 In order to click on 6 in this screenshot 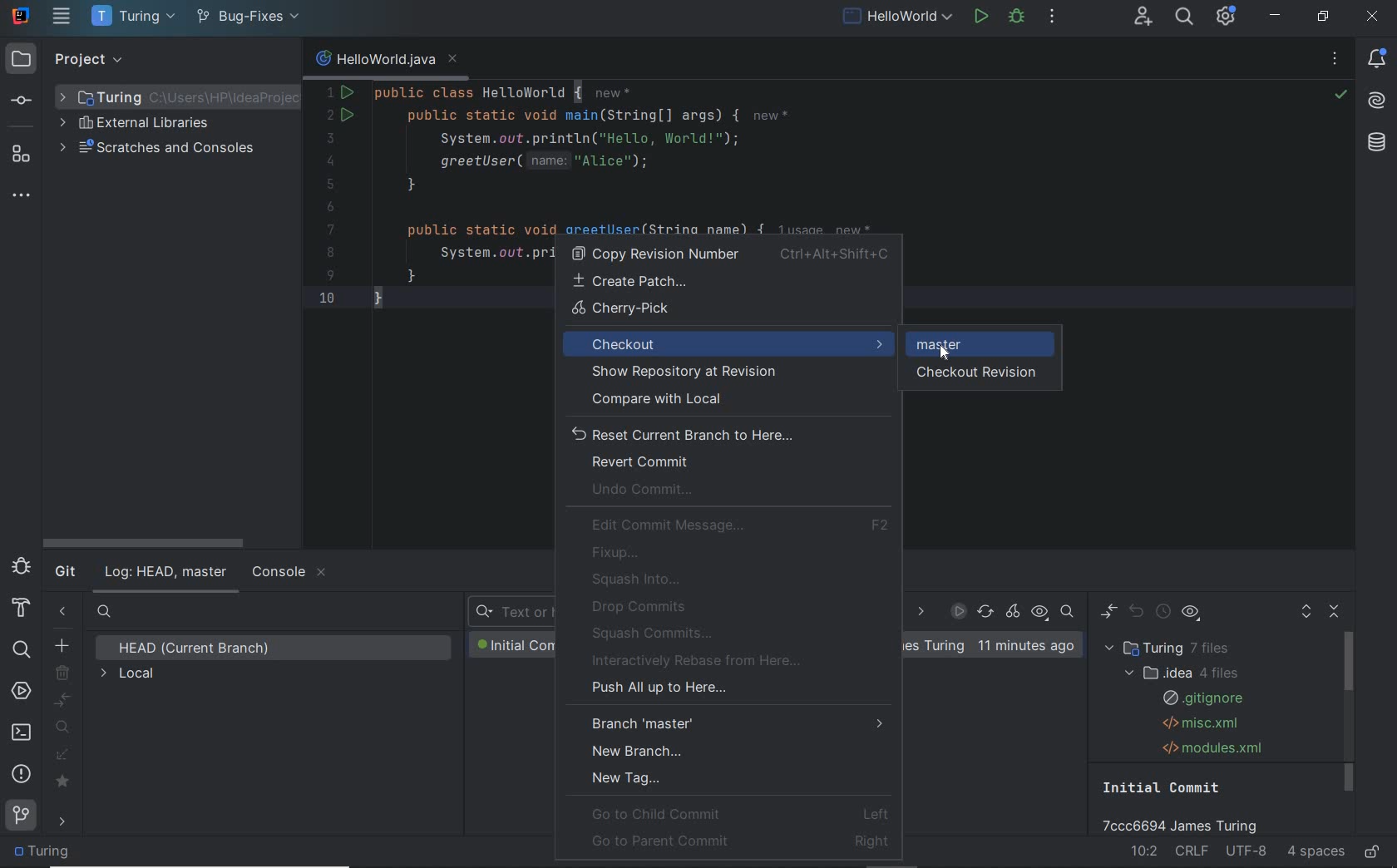, I will do `click(330, 208)`.